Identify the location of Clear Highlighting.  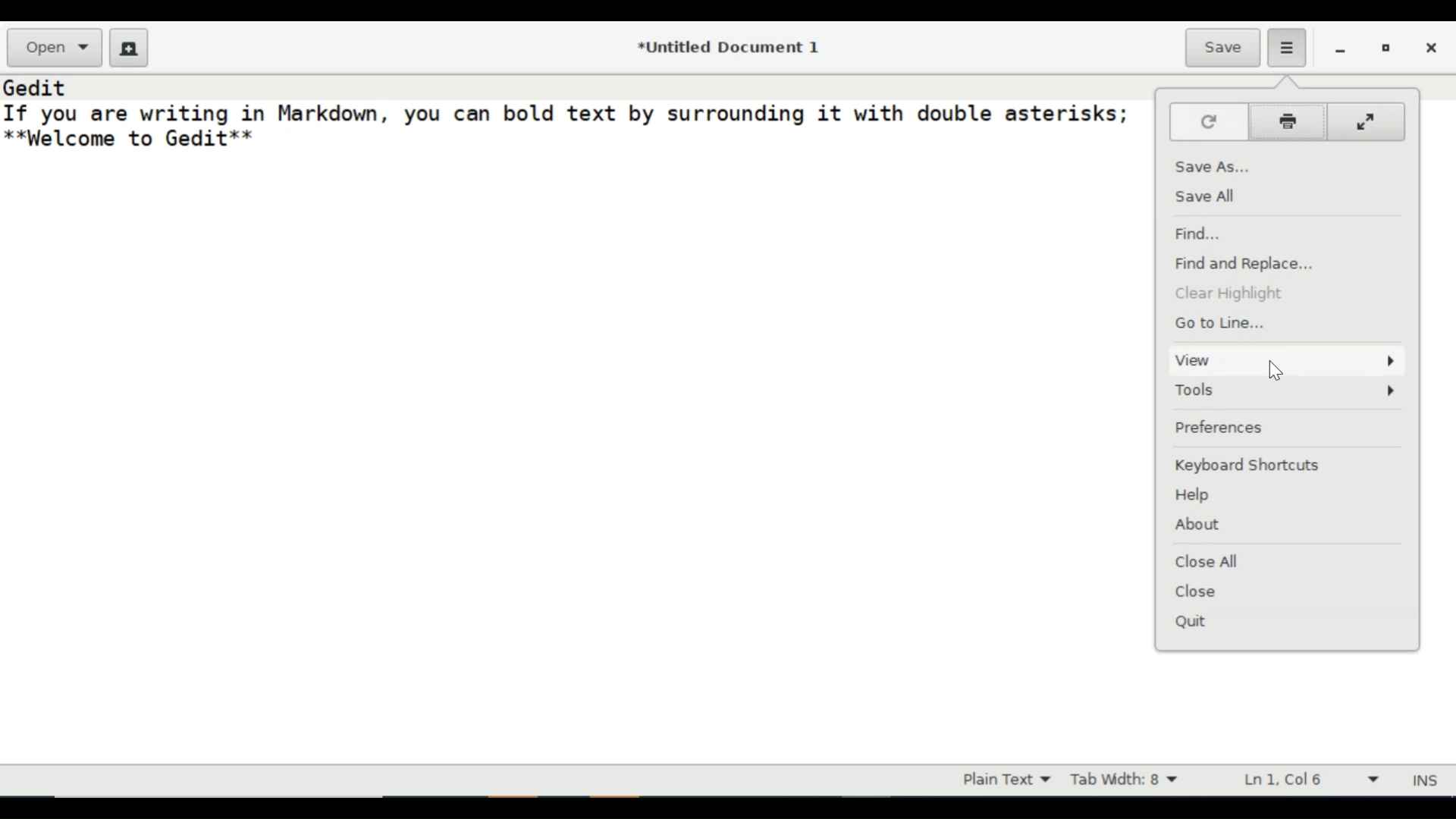
(1226, 293).